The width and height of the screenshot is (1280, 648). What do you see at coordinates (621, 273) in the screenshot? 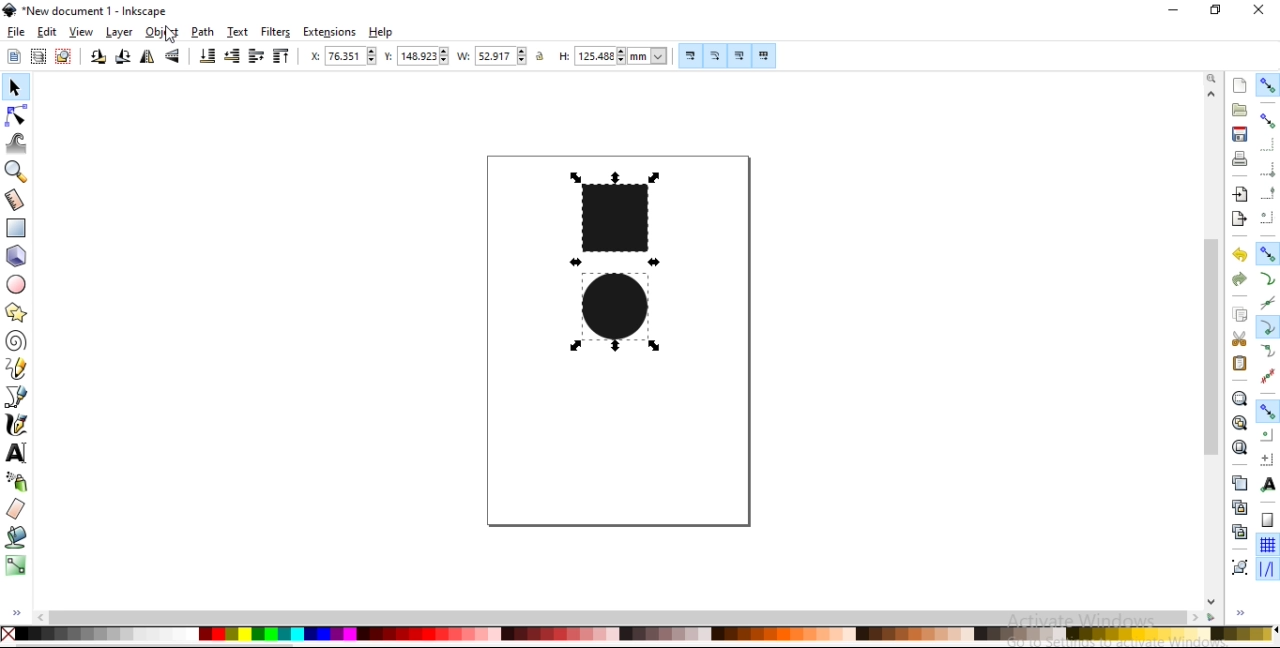
I see `image` at bounding box center [621, 273].